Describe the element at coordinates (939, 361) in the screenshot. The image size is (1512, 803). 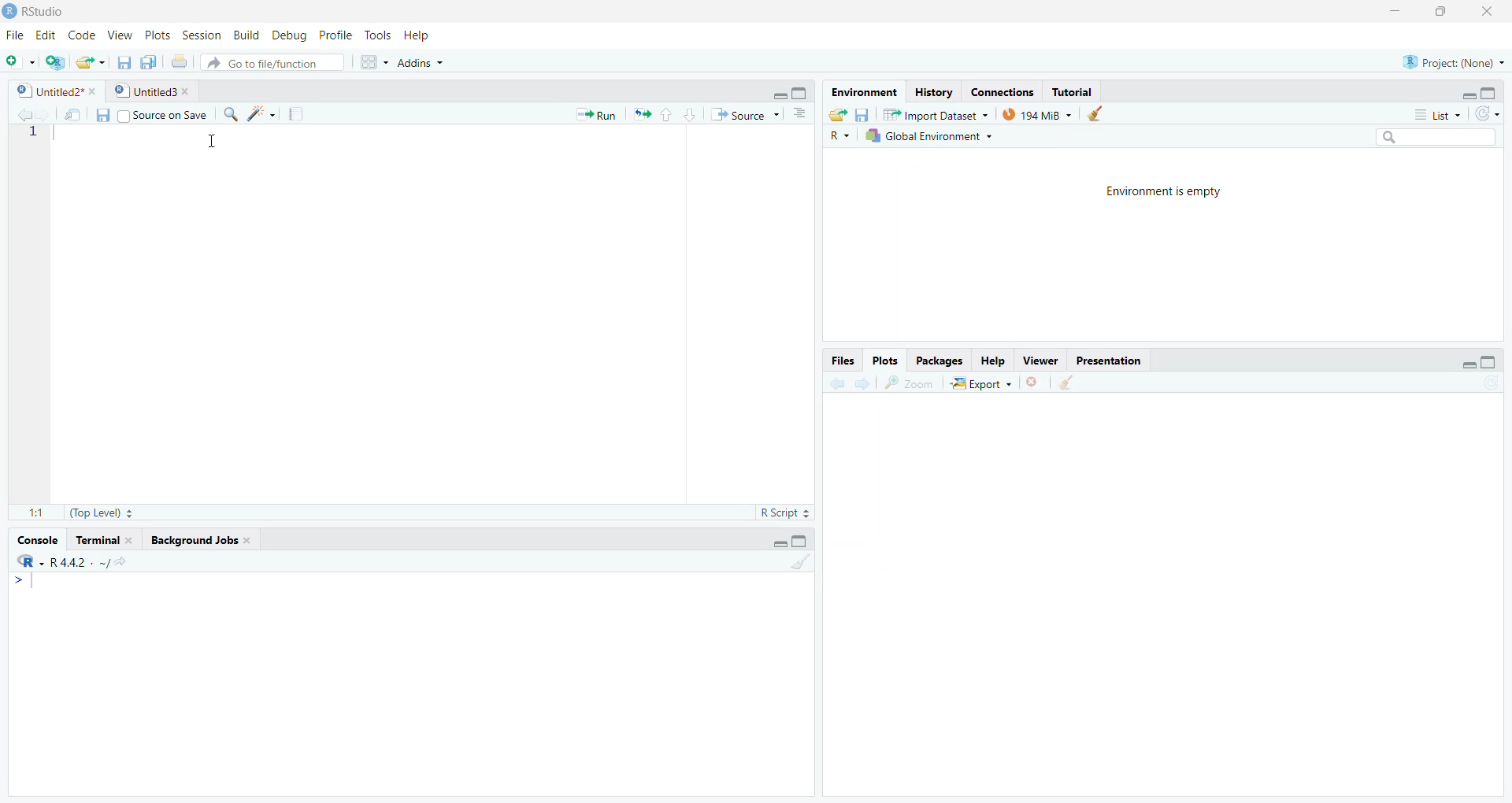
I see `Packages.` at that location.